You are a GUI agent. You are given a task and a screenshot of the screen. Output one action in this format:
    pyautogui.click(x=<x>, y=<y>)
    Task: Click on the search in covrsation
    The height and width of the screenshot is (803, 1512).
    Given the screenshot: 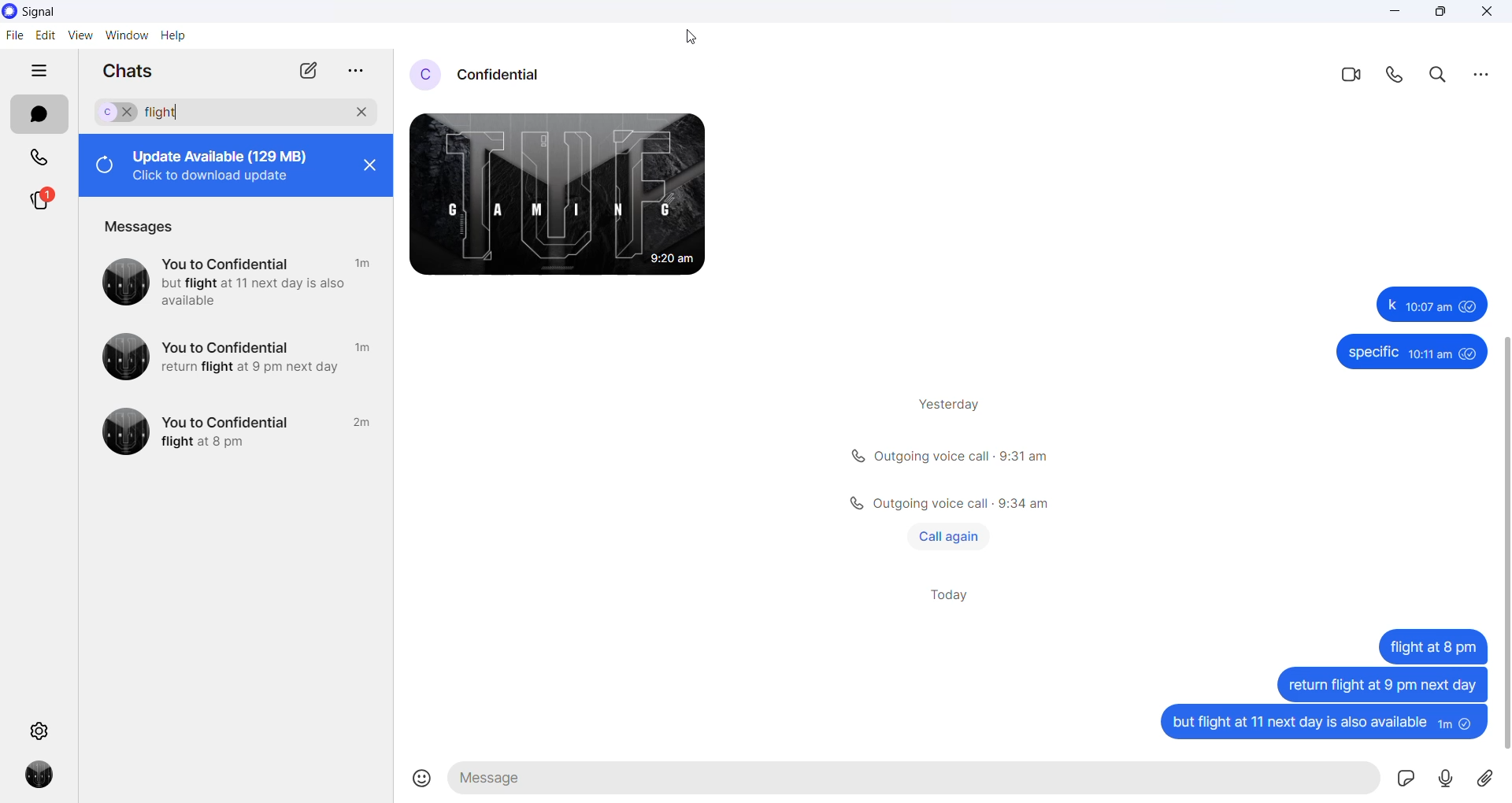 What is the action you would take?
    pyautogui.click(x=1438, y=76)
    